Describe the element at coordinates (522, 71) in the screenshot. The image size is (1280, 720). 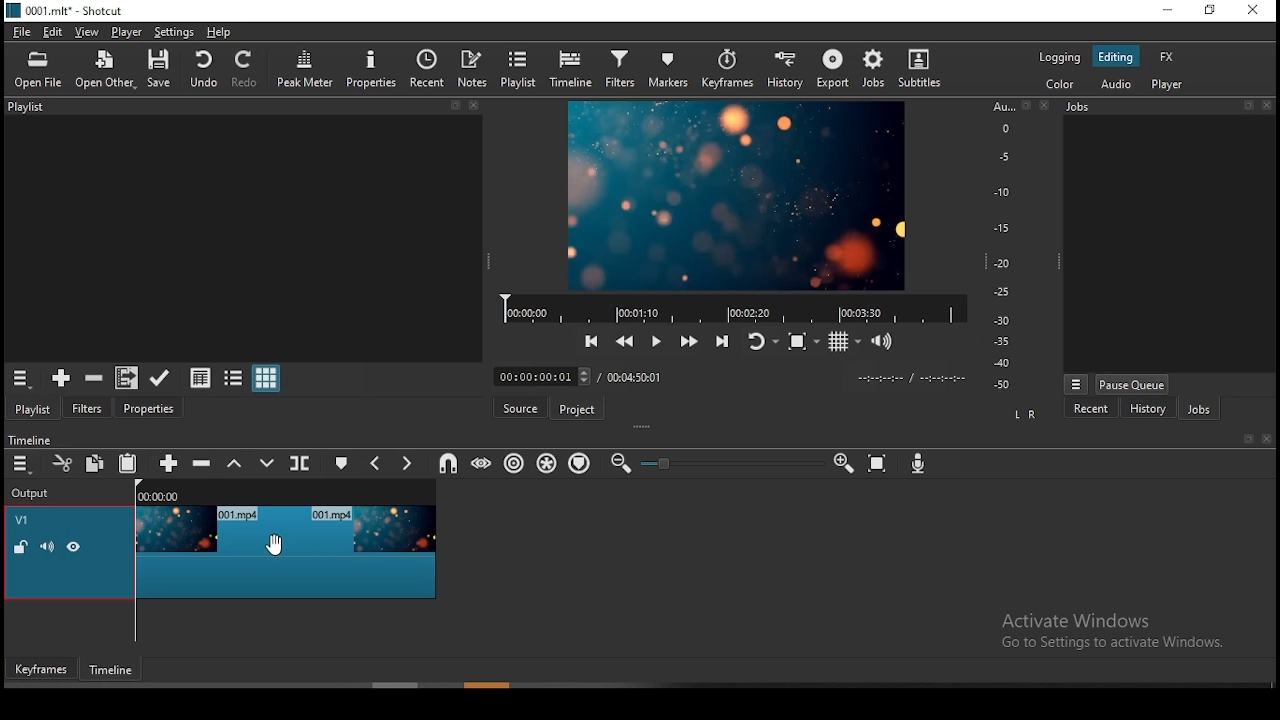
I see `playlist` at that location.